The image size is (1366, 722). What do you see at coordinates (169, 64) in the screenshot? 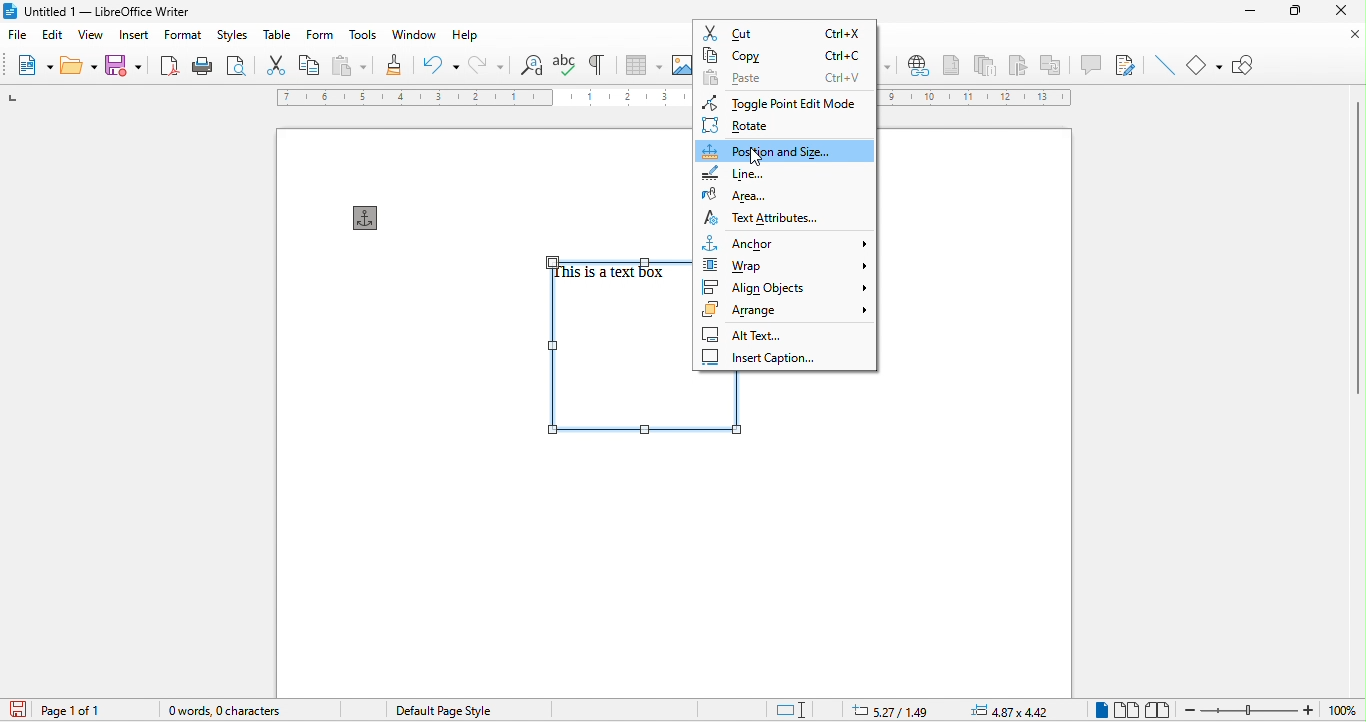
I see `export directly as pdf` at bounding box center [169, 64].